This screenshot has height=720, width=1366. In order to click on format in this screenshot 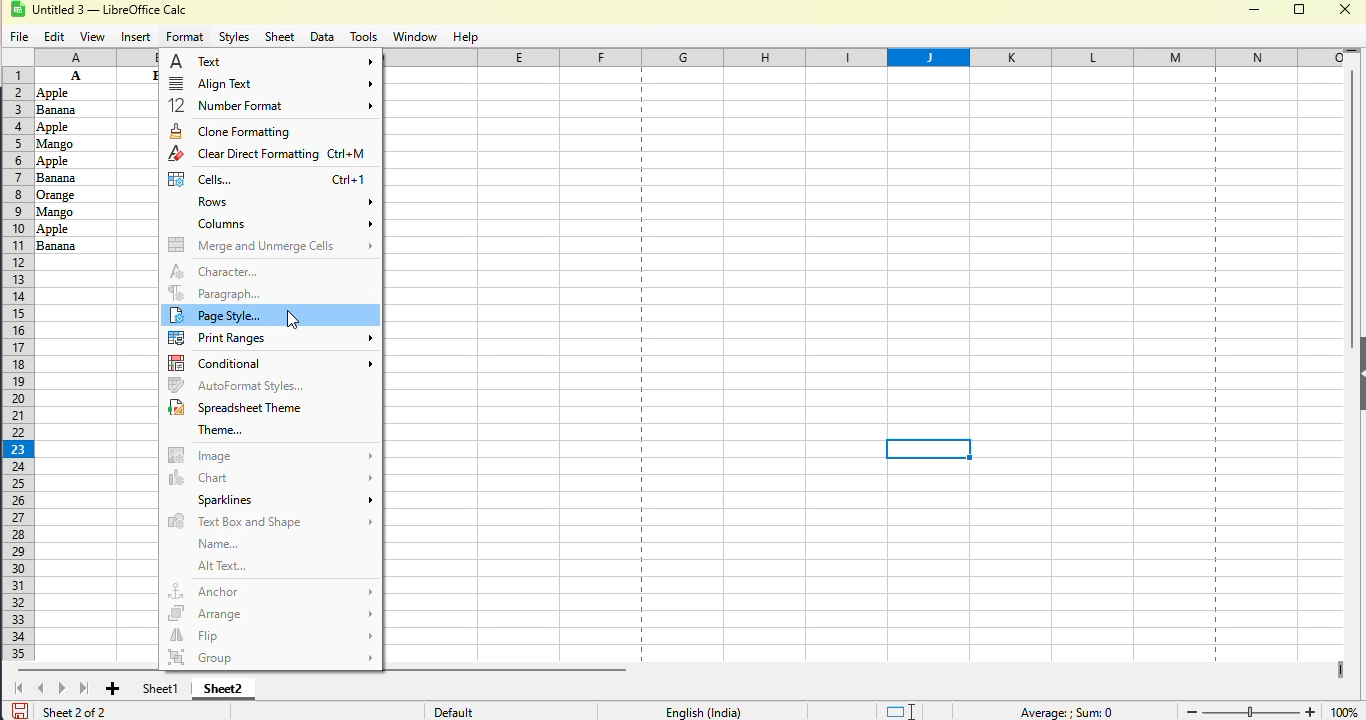, I will do `click(185, 37)`.